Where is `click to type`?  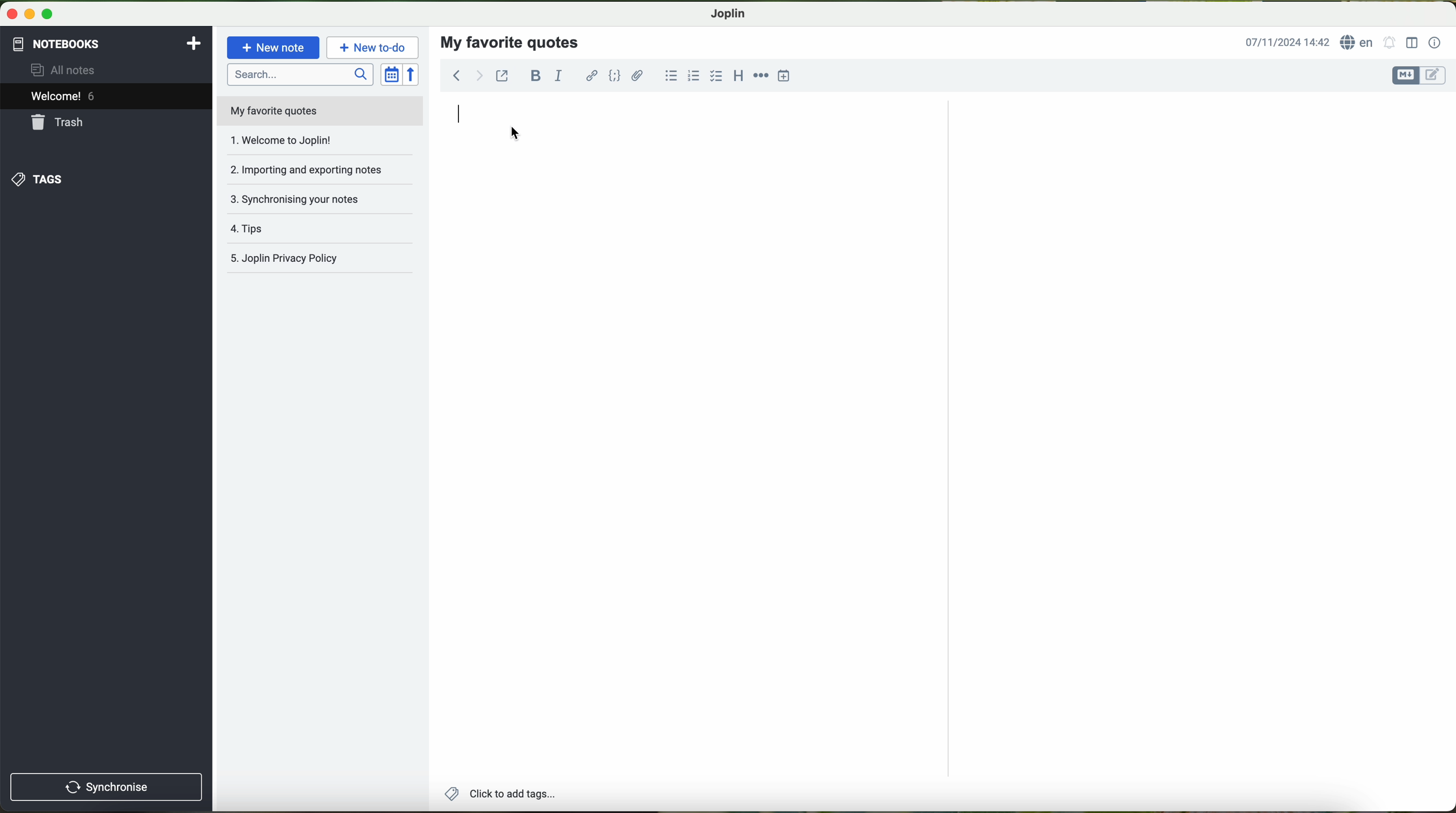 click to type is located at coordinates (456, 109).